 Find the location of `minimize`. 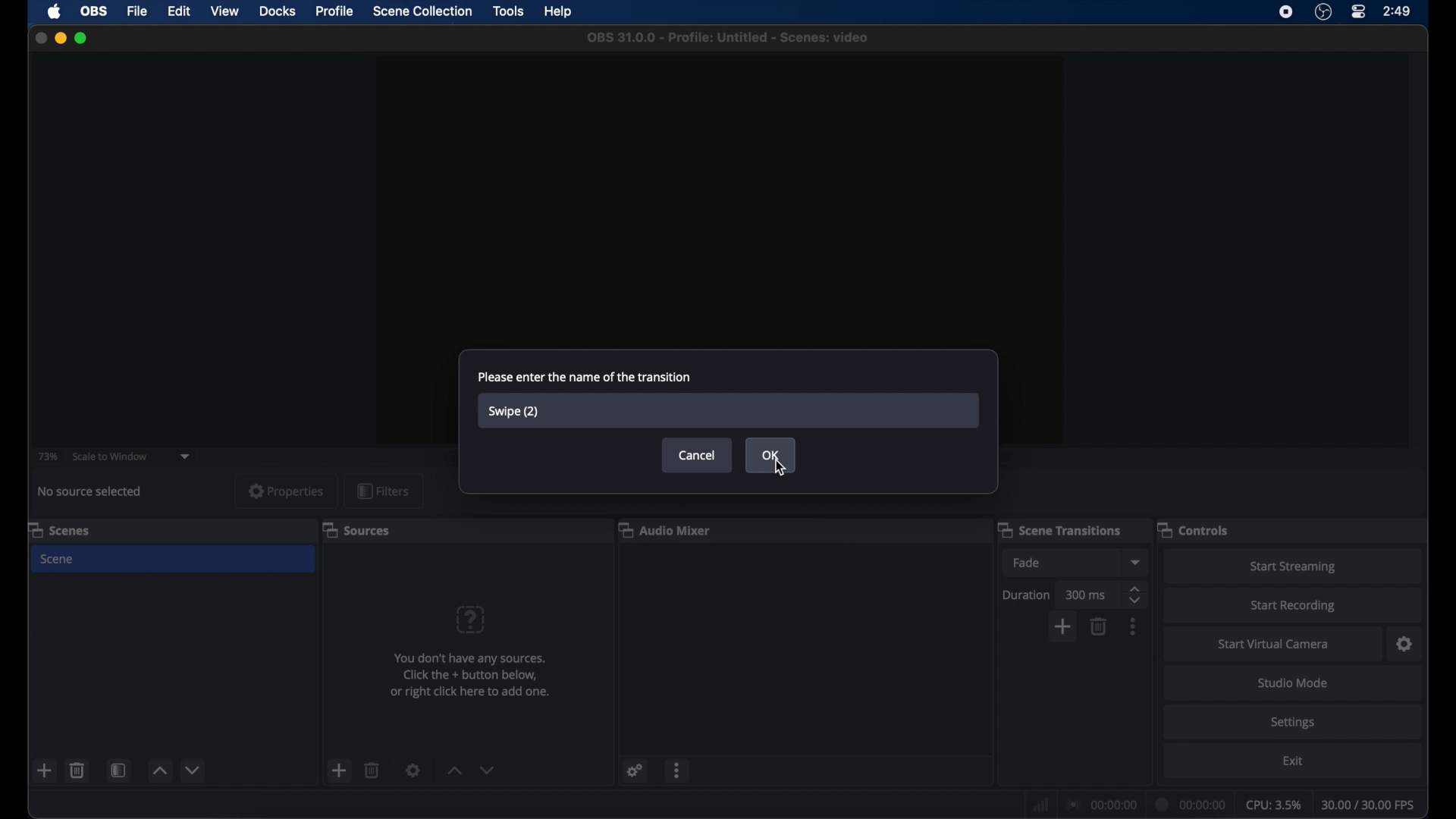

minimize is located at coordinates (60, 38).